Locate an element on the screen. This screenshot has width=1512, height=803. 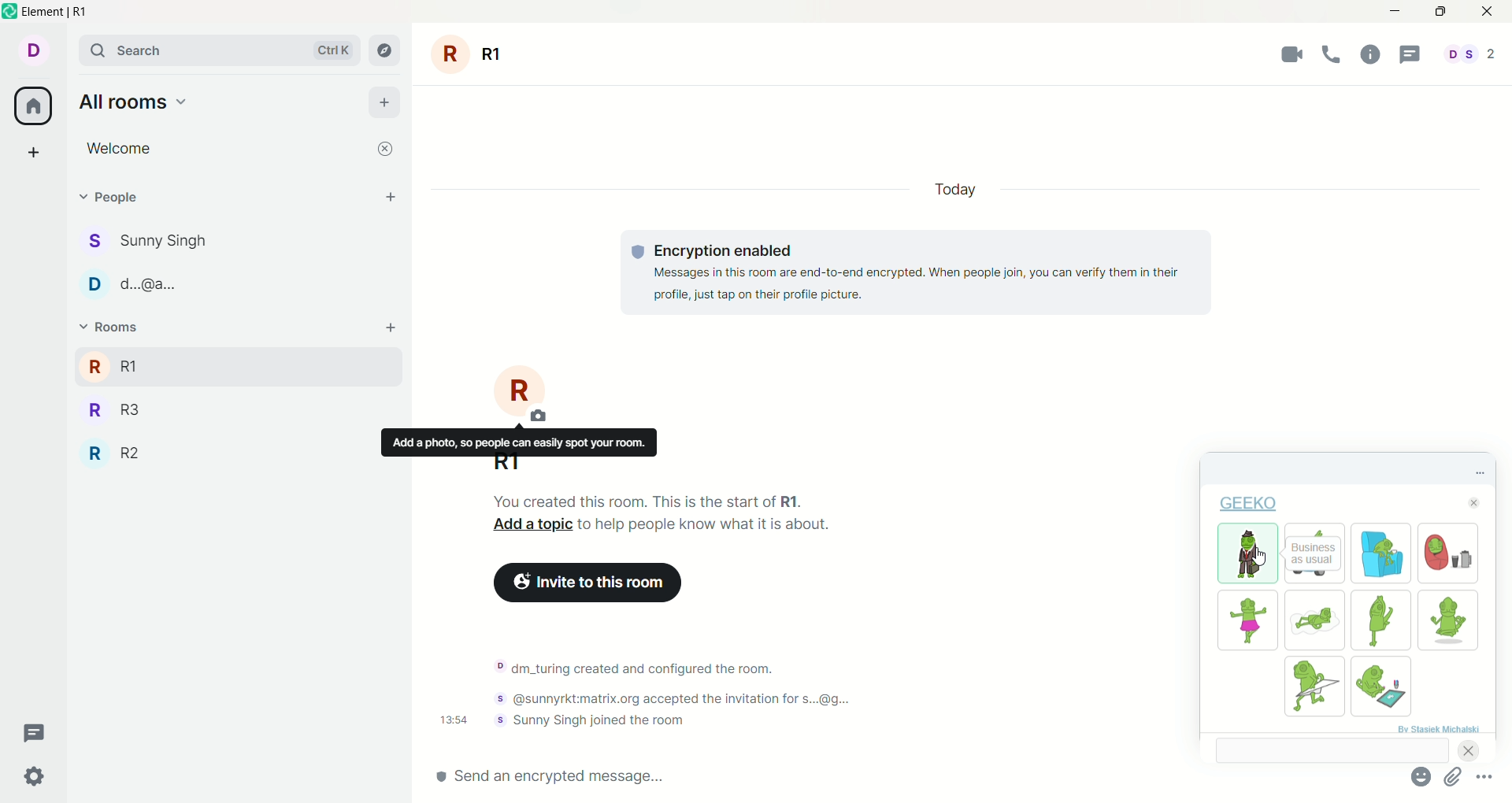
search is located at coordinates (1332, 749).